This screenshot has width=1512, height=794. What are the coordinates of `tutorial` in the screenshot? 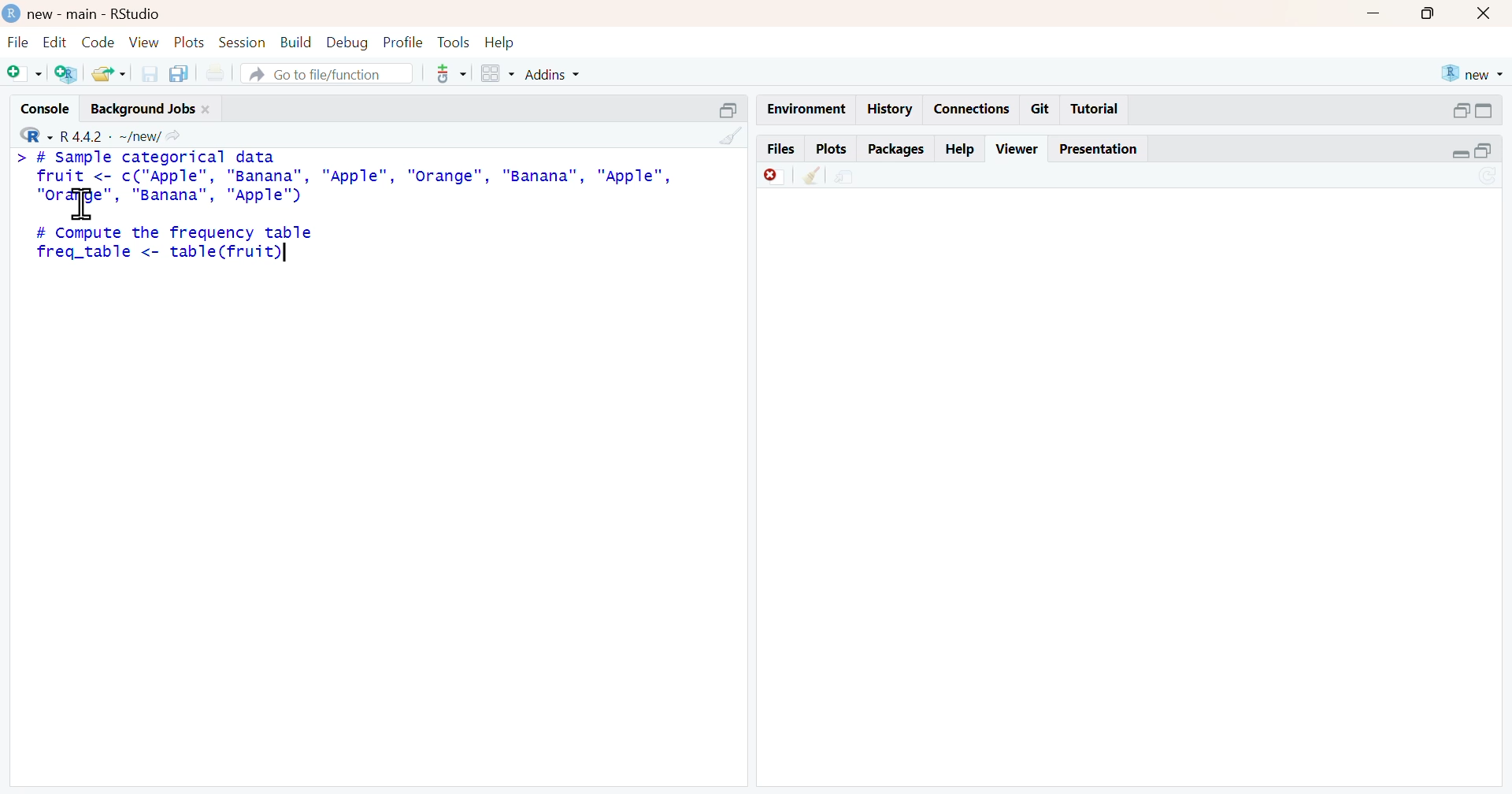 It's located at (1095, 111).